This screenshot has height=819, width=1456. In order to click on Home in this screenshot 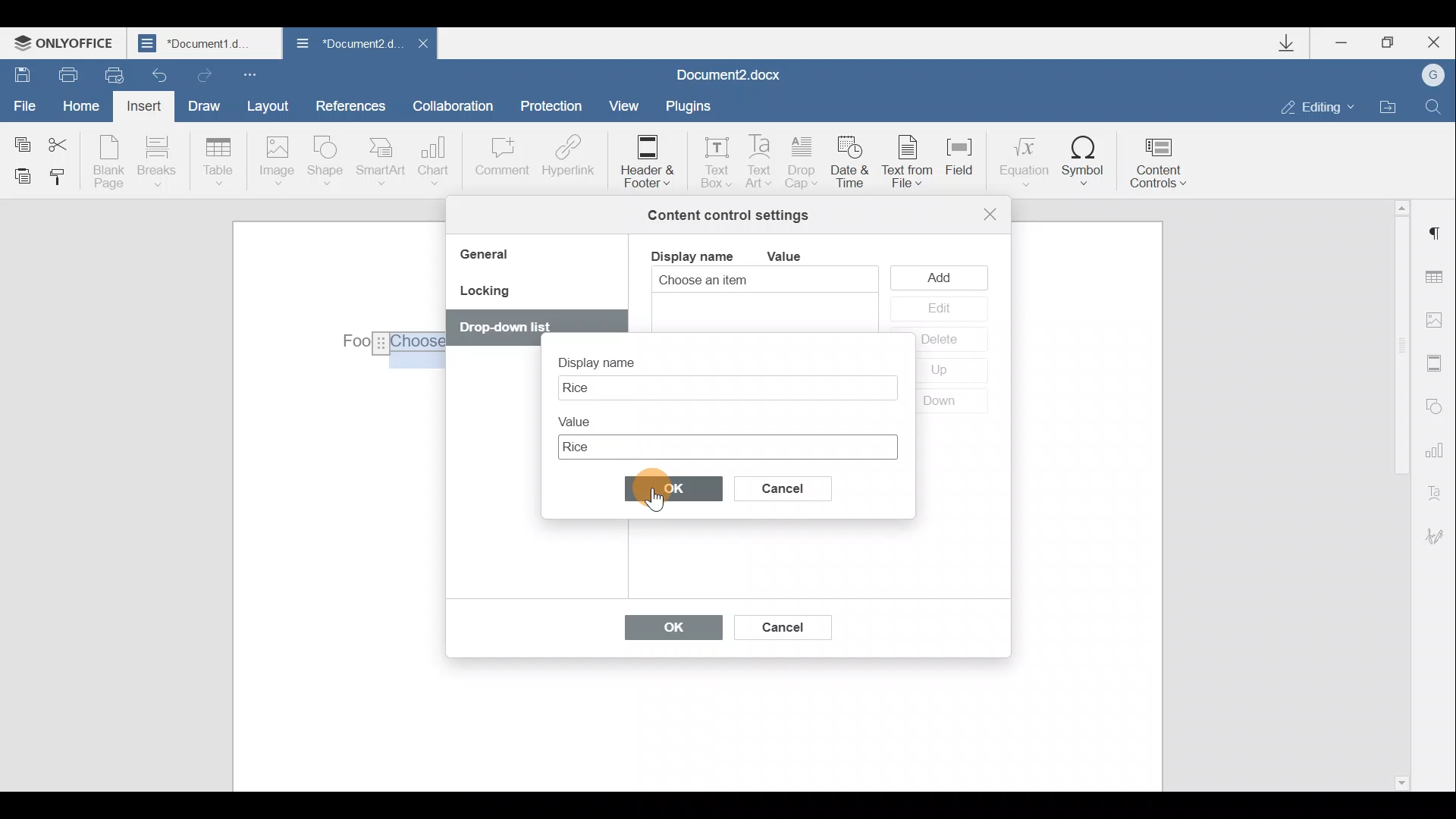, I will do `click(86, 108)`.